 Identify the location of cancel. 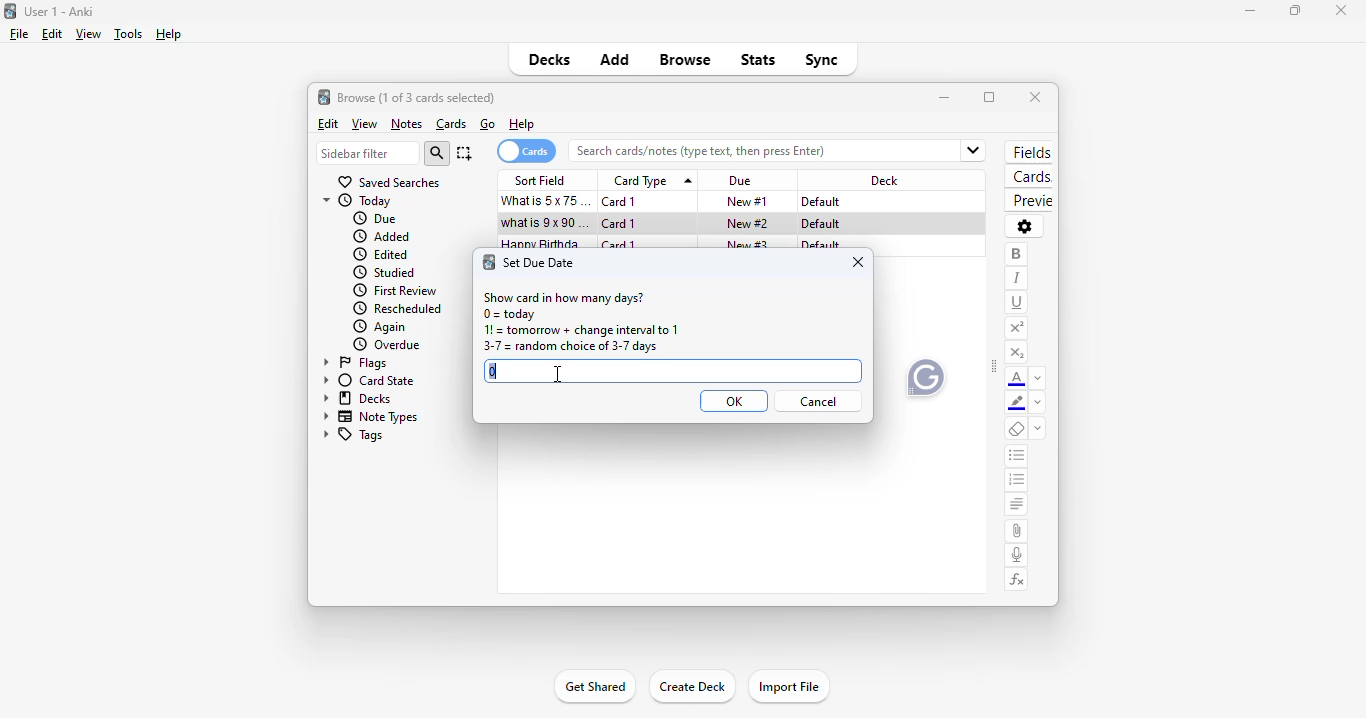
(821, 403).